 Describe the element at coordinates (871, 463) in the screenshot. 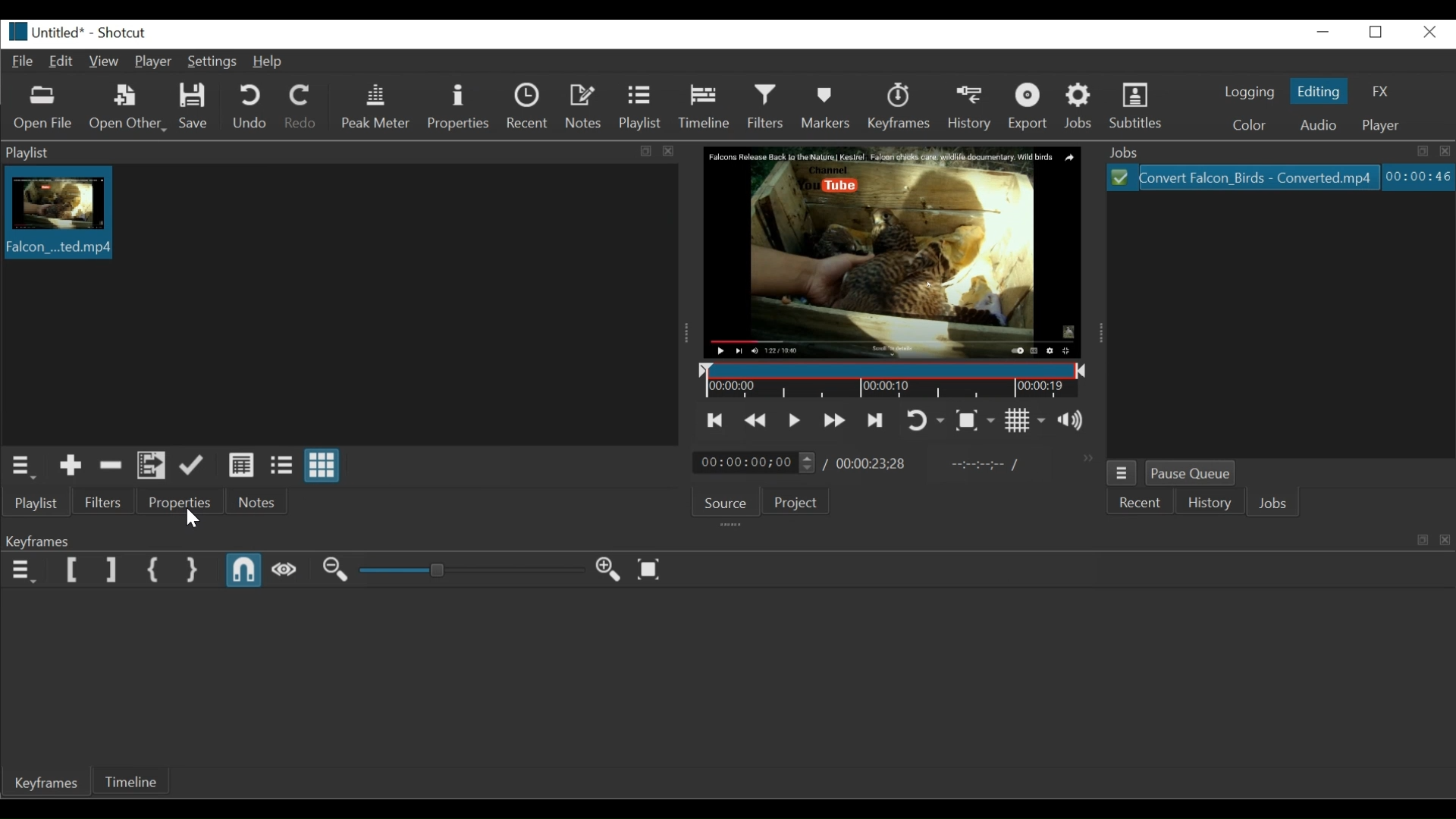

I see `Total Duration` at that location.